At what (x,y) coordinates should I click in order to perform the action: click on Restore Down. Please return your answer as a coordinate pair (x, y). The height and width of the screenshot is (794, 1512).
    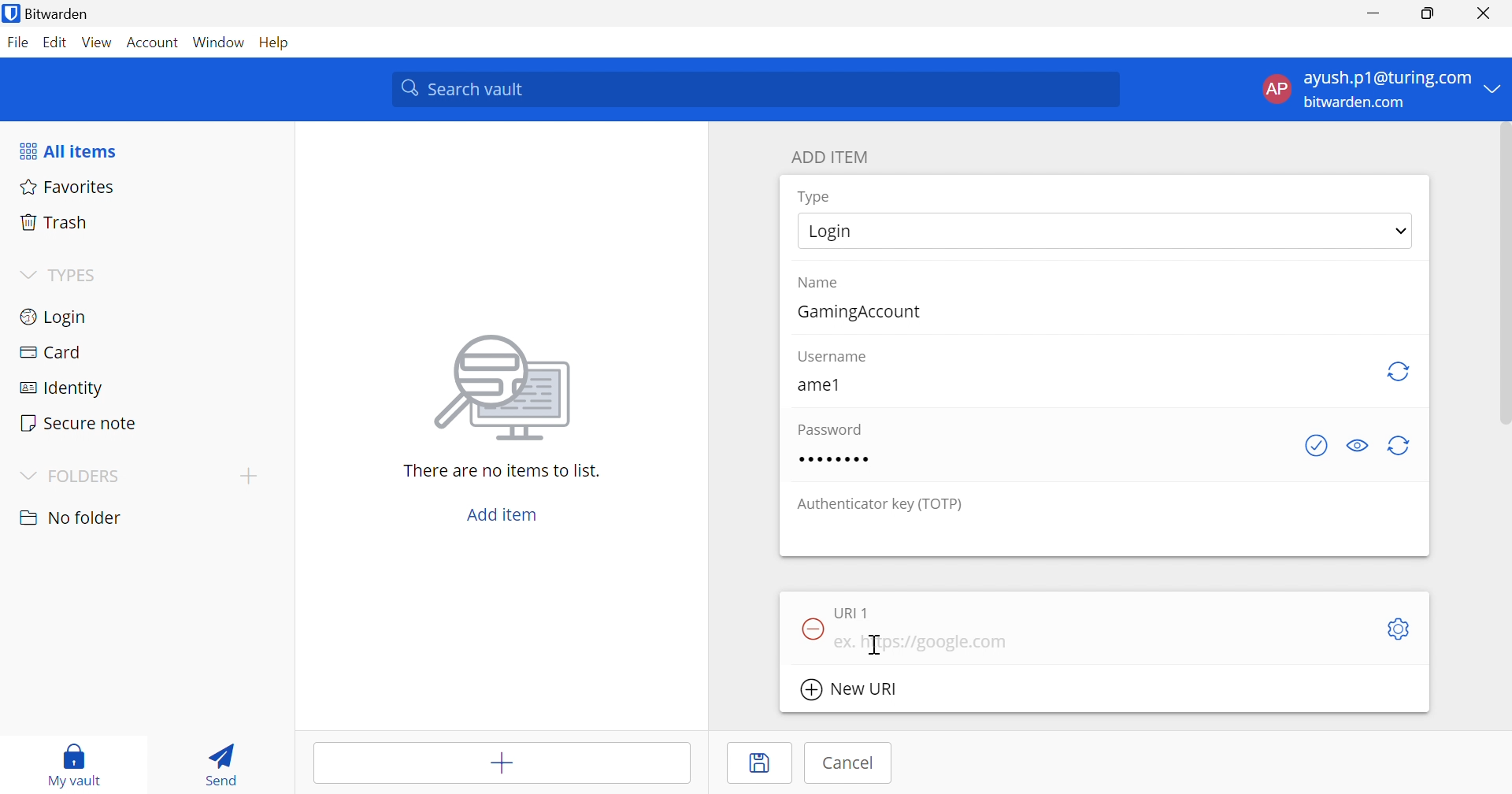
    Looking at the image, I should click on (1429, 14).